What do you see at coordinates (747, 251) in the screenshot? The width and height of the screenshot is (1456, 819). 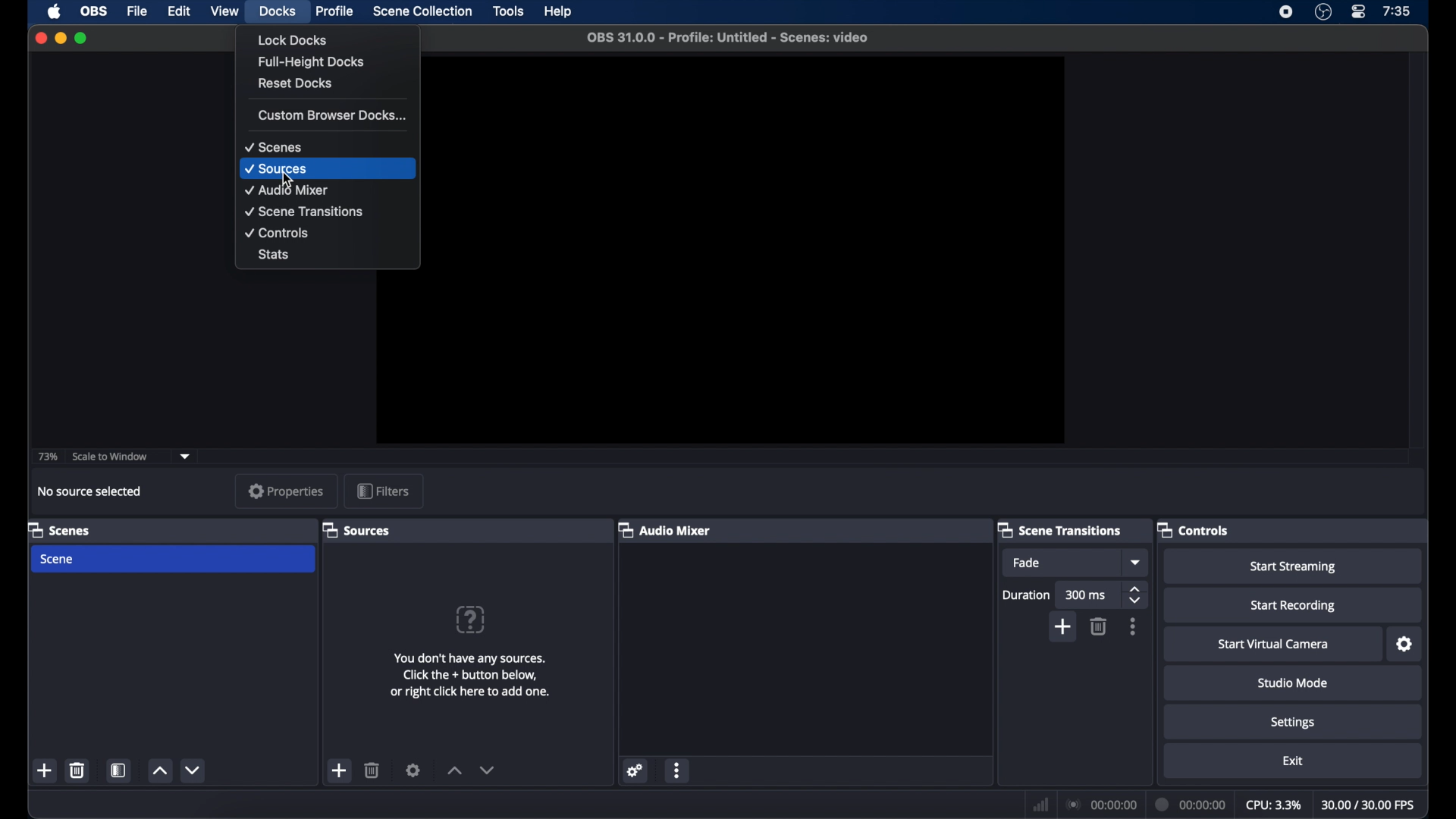 I see `preview` at bounding box center [747, 251].